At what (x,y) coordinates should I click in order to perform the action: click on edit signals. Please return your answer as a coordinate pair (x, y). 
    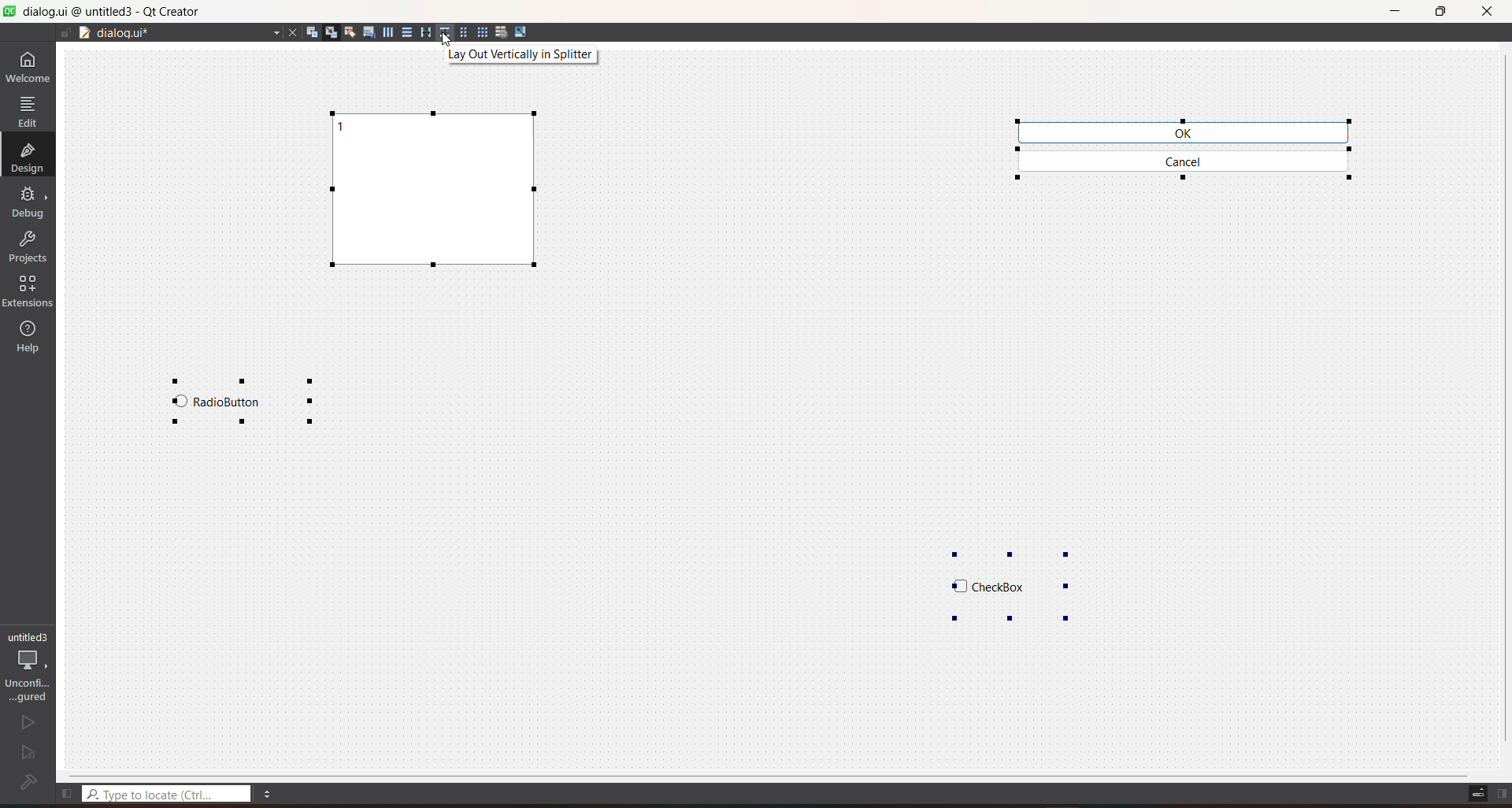
    Looking at the image, I should click on (331, 32).